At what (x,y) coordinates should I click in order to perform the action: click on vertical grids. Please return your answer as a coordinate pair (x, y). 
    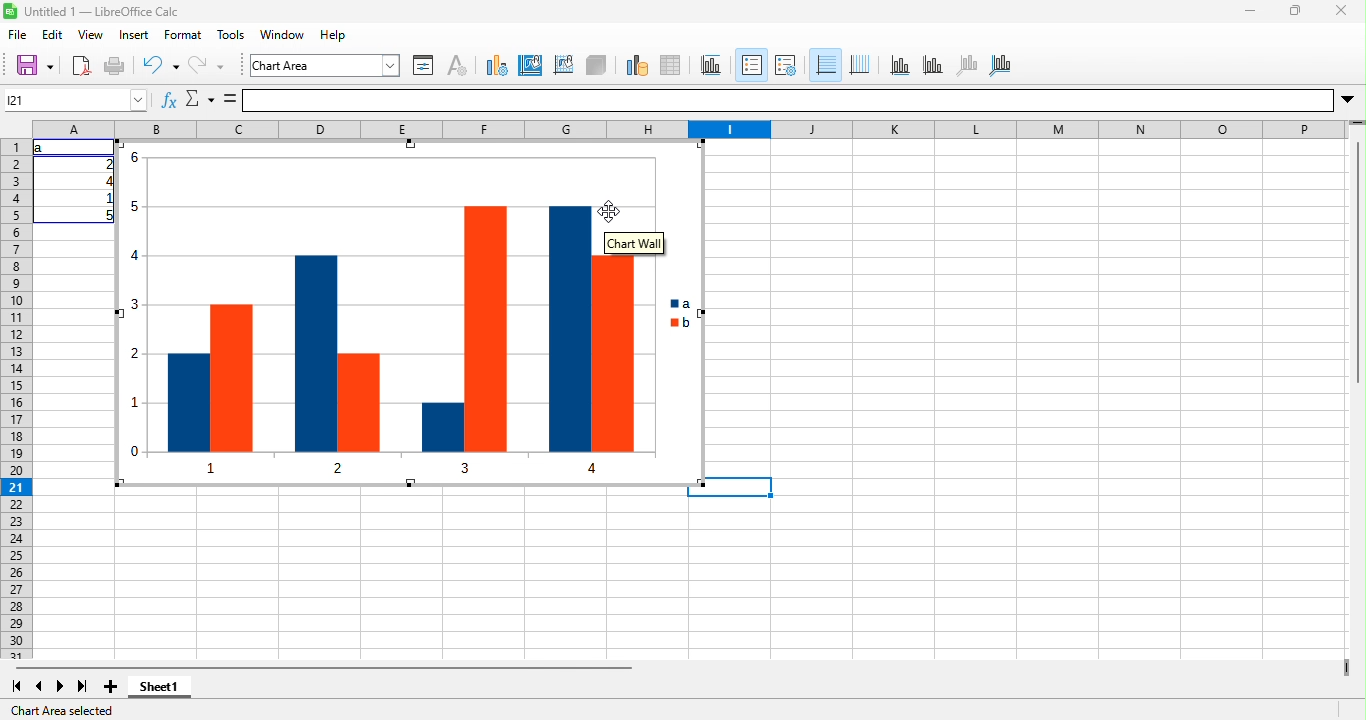
    Looking at the image, I should click on (860, 66).